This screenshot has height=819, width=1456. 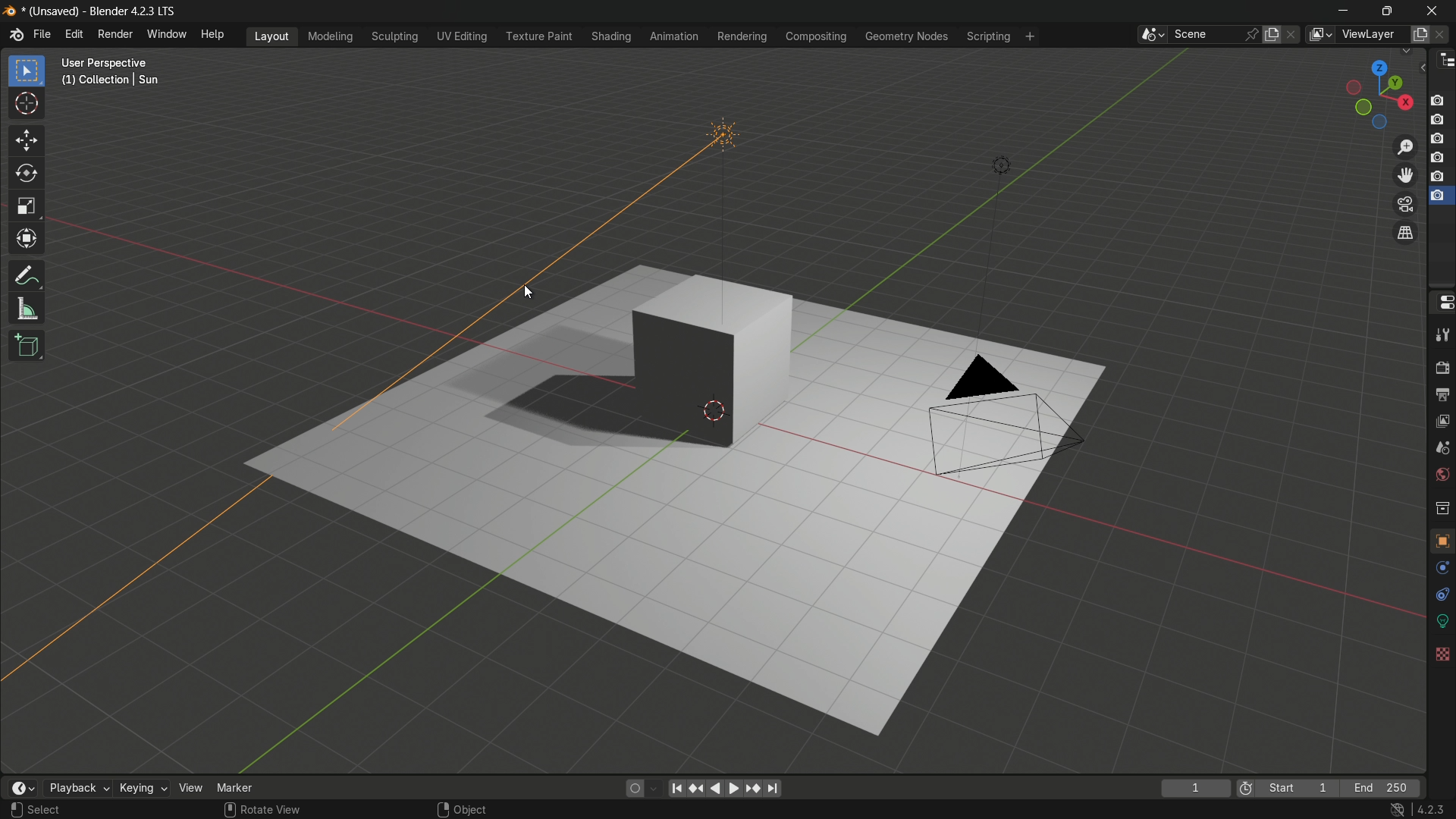 What do you see at coordinates (1442, 507) in the screenshot?
I see `collections` at bounding box center [1442, 507].